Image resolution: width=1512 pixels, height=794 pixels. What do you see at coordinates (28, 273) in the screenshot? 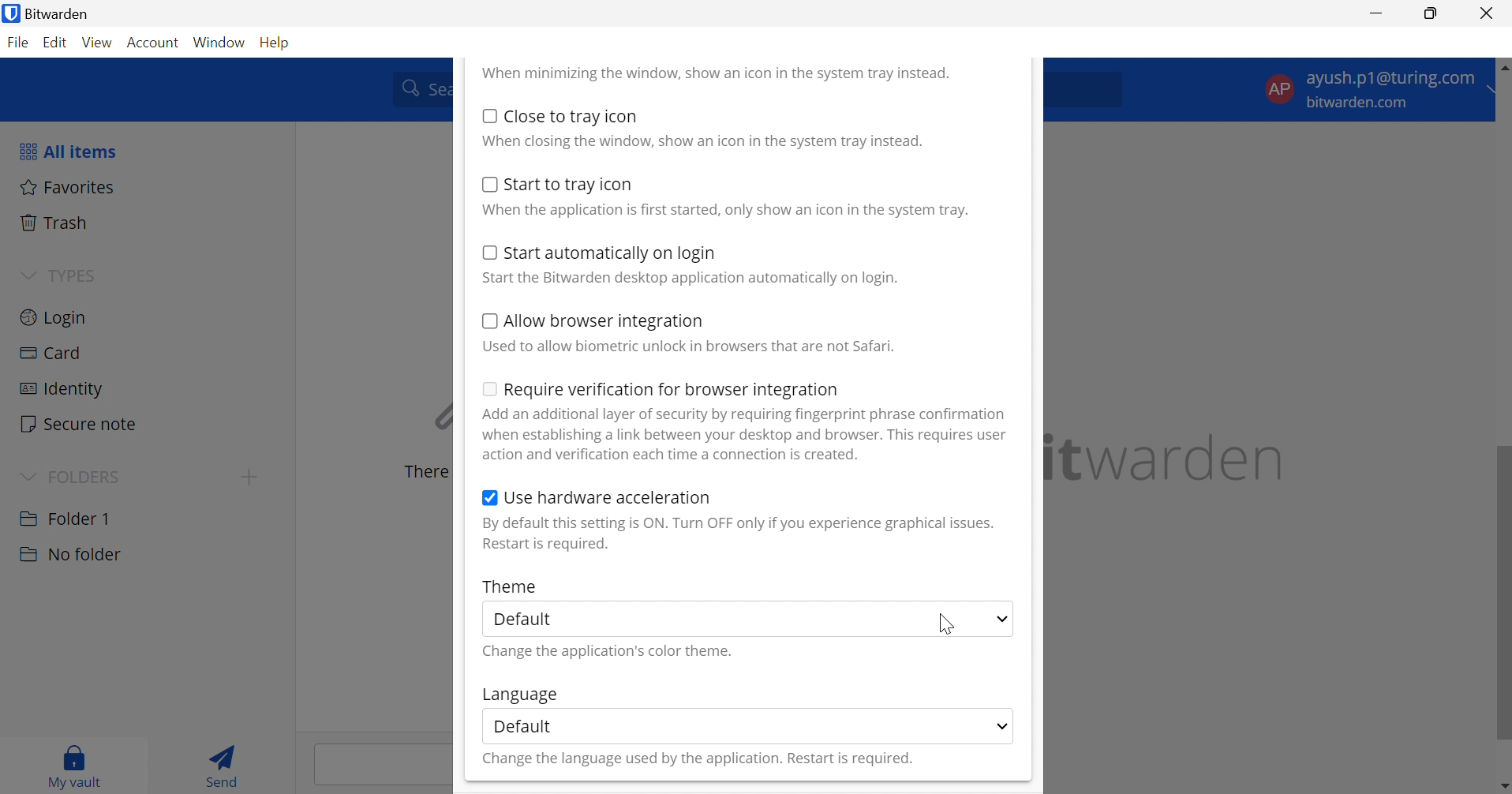
I see `Drop Down` at bounding box center [28, 273].